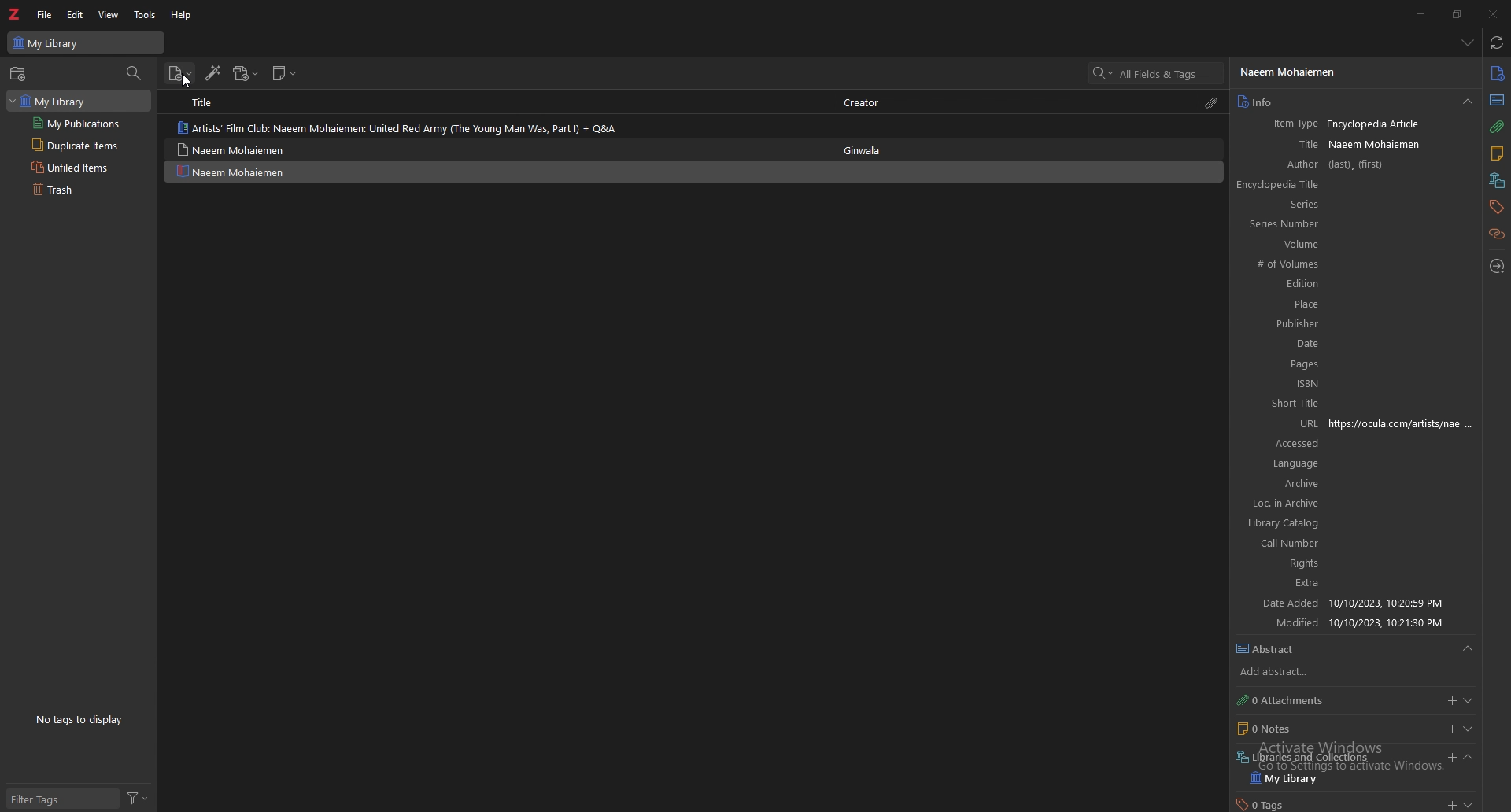  What do you see at coordinates (1452, 700) in the screenshot?
I see `add attachments` at bounding box center [1452, 700].